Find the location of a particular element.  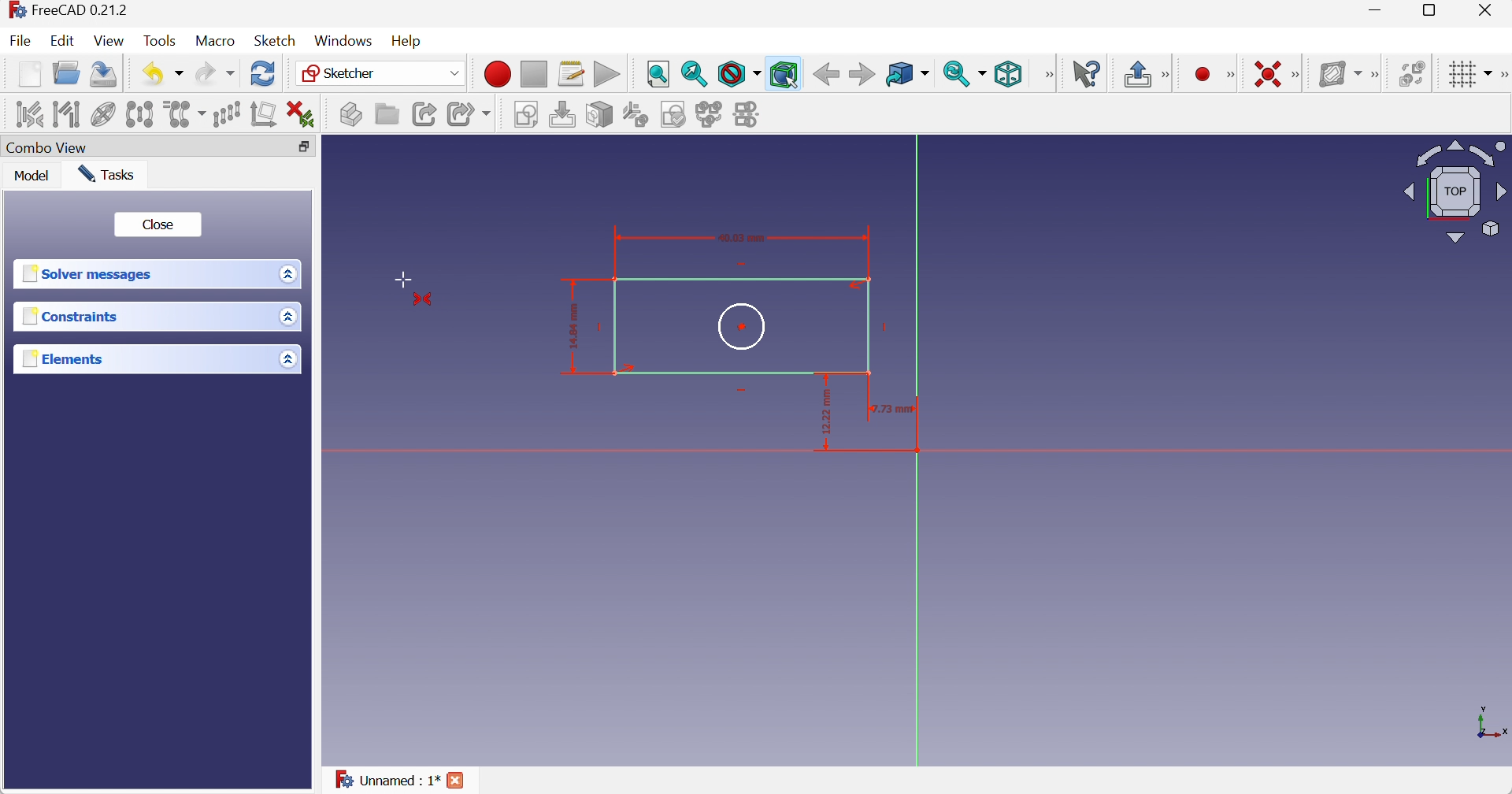

Tasks is located at coordinates (106, 174).